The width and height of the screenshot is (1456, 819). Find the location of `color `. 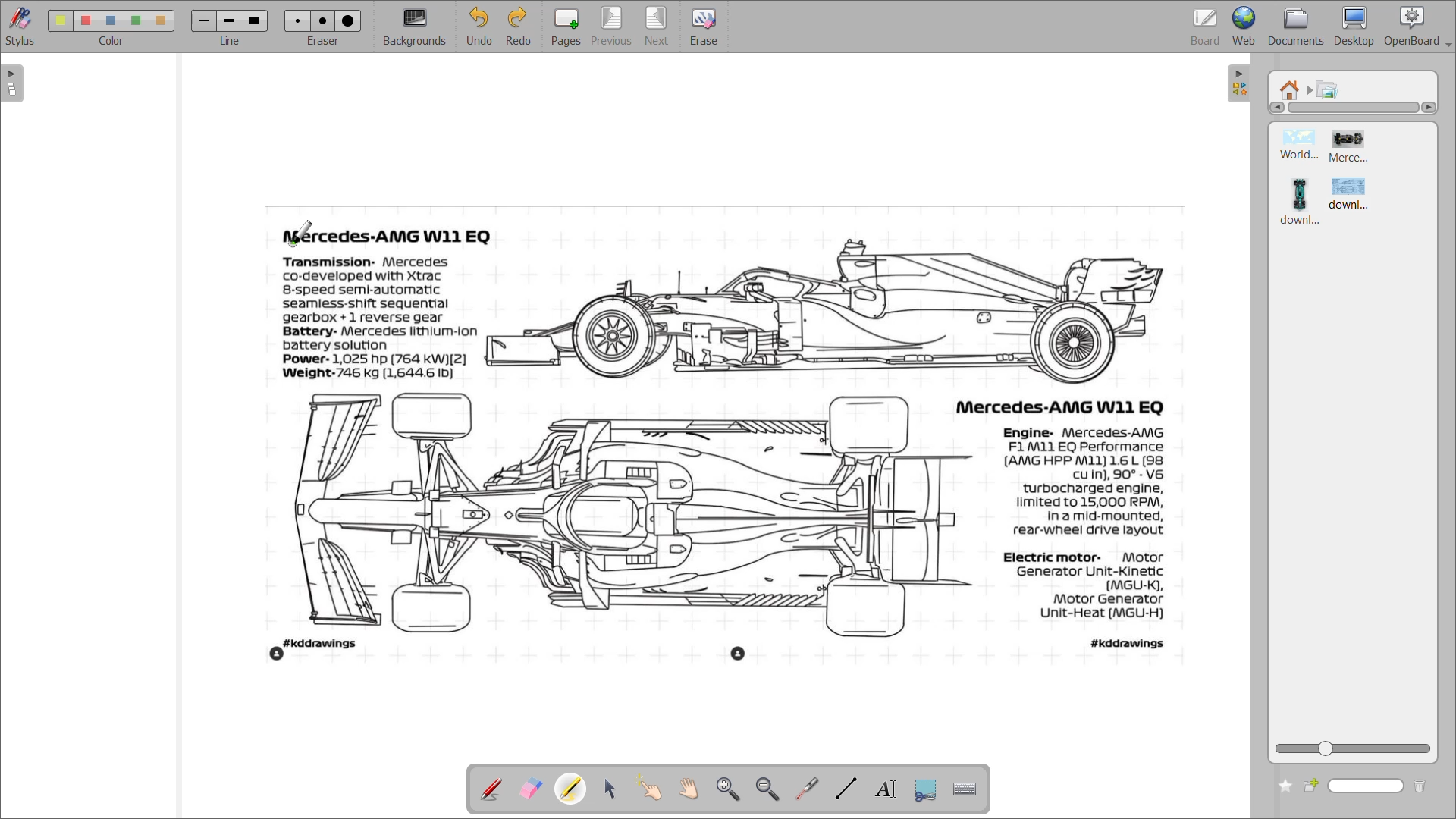

color  is located at coordinates (110, 42).